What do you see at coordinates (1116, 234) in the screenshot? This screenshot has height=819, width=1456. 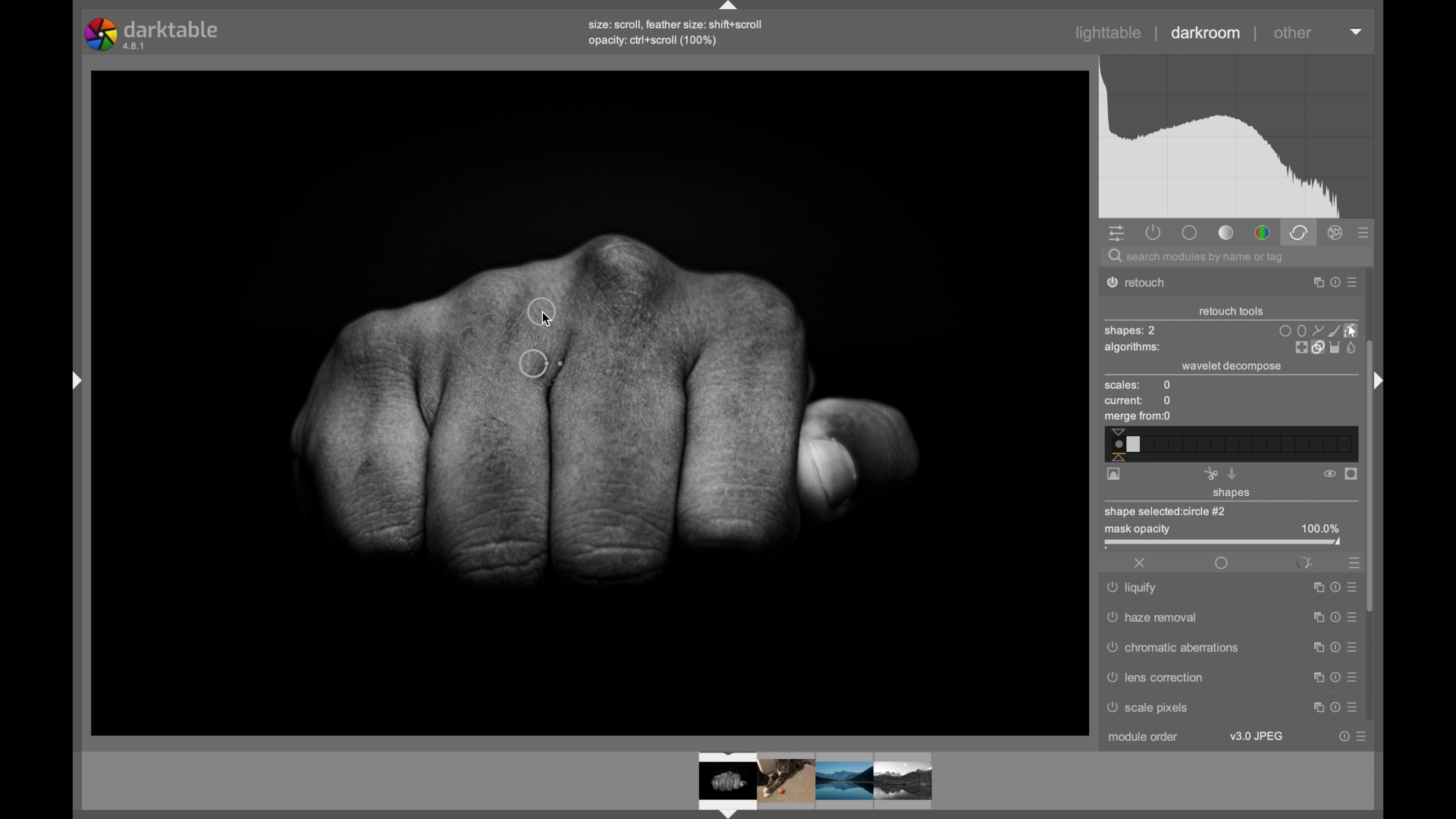 I see `show quick panel` at bounding box center [1116, 234].